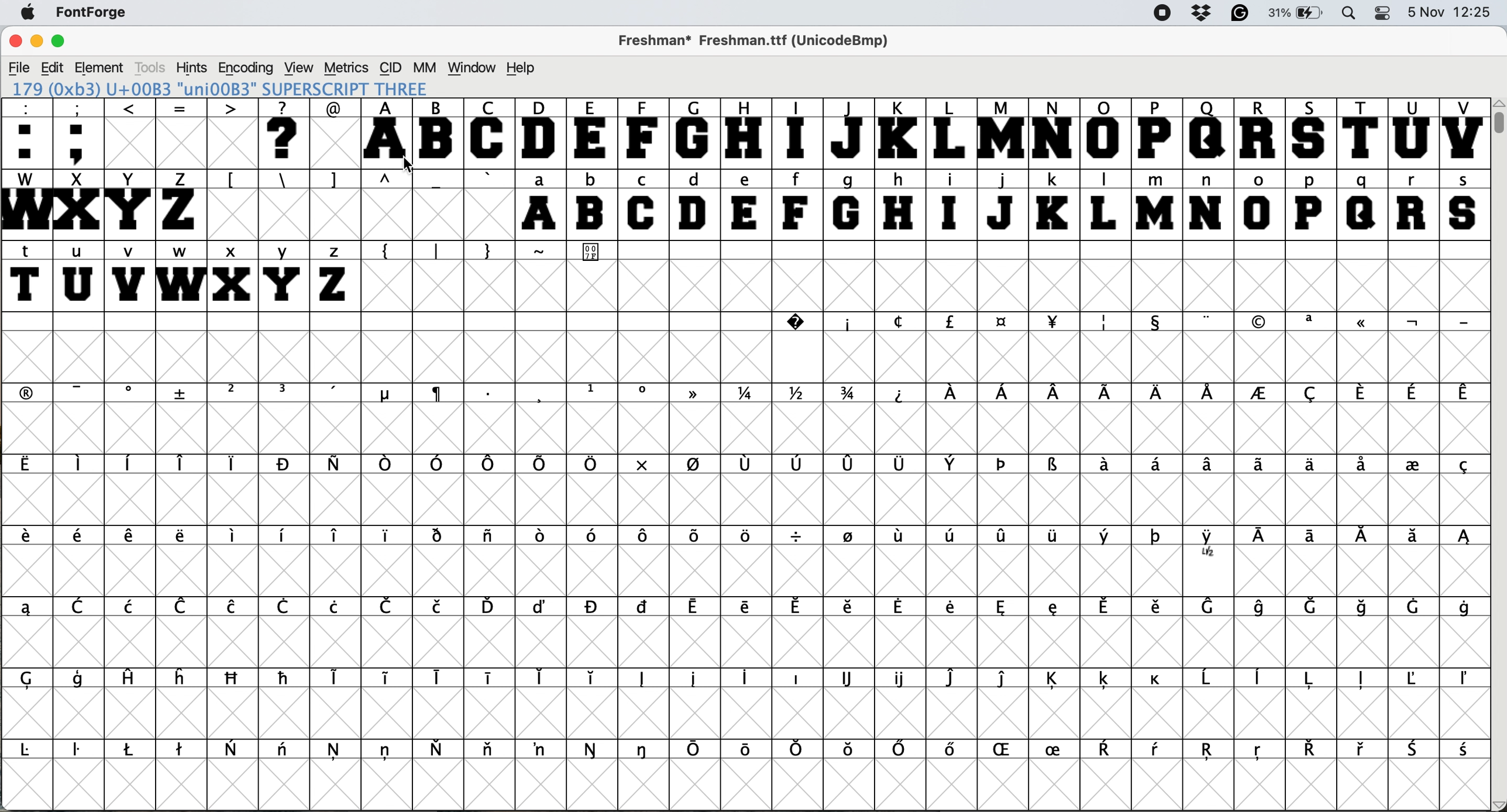  Describe the element at coordinates (746, 133) in the screenshot. I see `H` at that location.